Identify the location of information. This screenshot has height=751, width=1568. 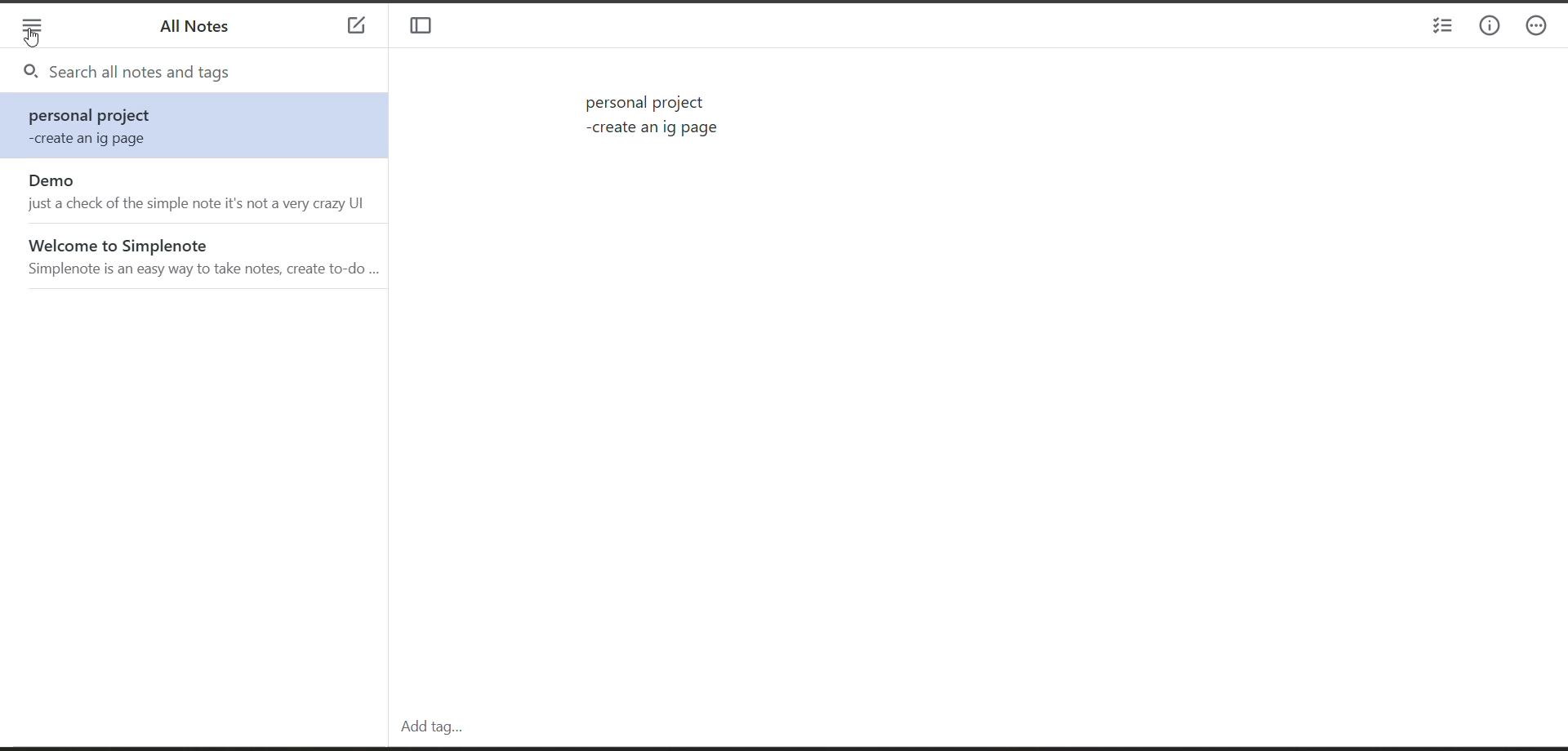
(1490, 27).